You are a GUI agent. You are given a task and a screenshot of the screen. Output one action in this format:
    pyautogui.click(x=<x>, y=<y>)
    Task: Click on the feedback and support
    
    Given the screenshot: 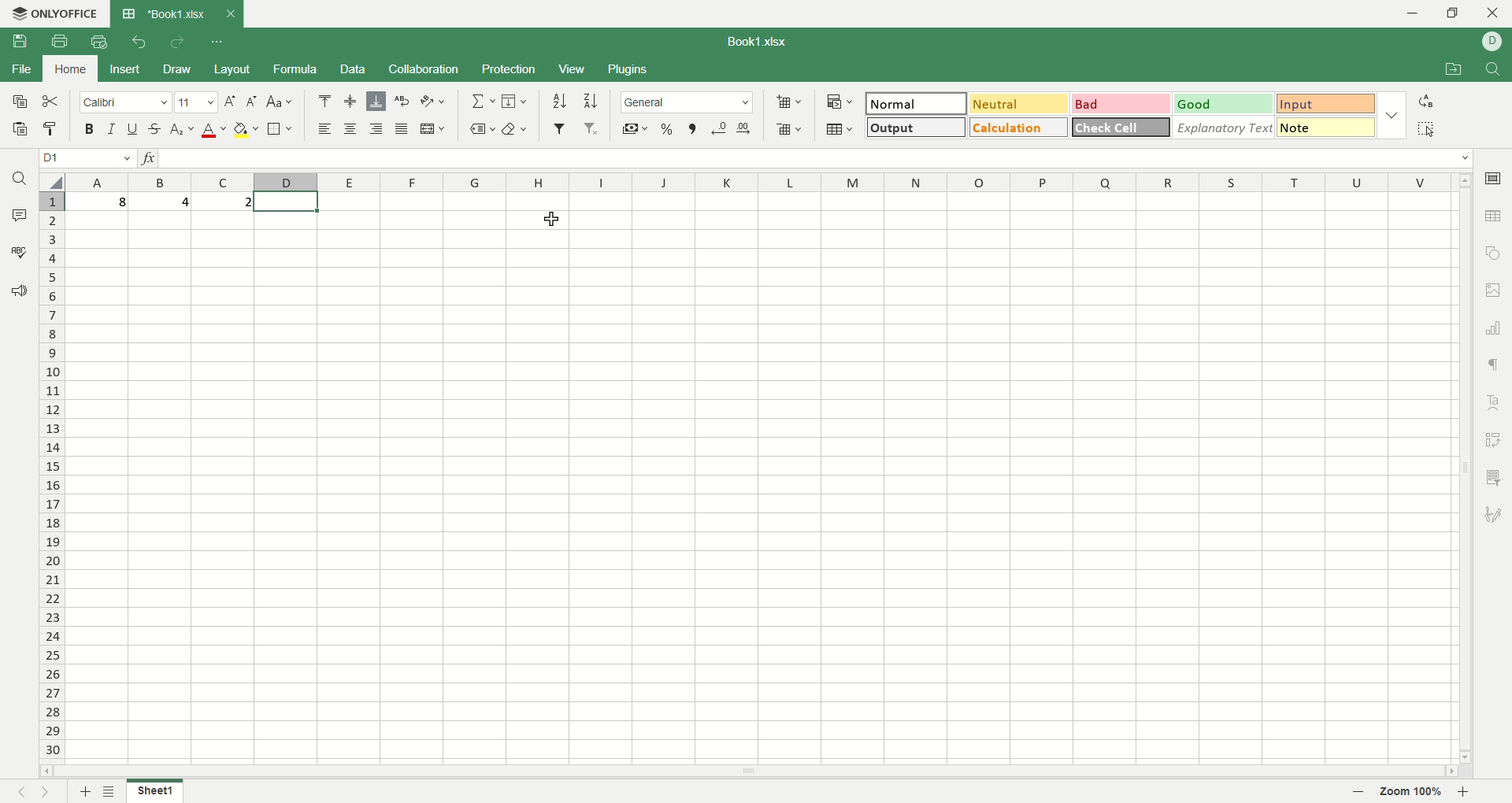 What is the action you would take?
    pyautogui.click(x=18, y=292)
    